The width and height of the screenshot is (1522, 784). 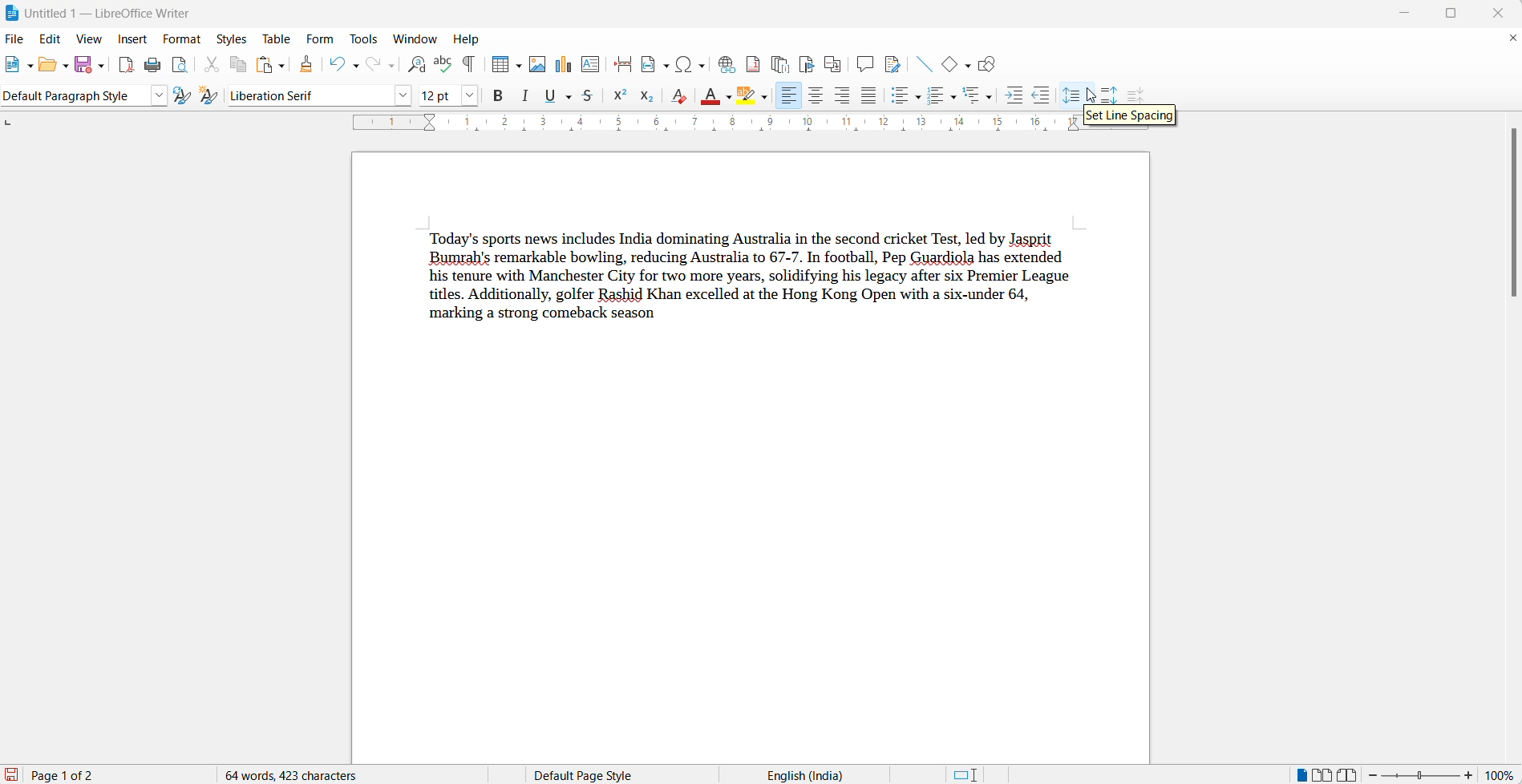 What do you see at coordinates (723, 63) in the screenshot?
I see `insert hyperlink` at bounding box center [723, 63].